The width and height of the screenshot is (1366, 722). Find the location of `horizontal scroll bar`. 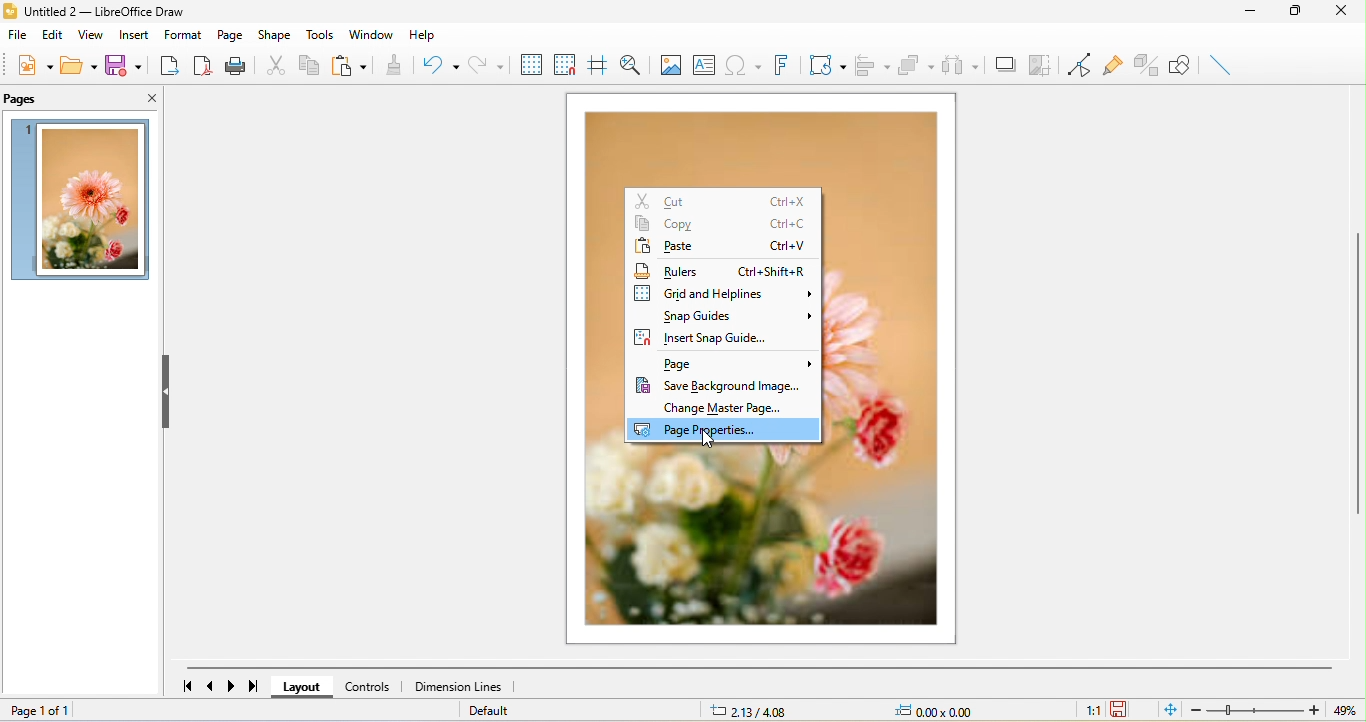

horizontal scroll bar is located at coordinates (759, 668).